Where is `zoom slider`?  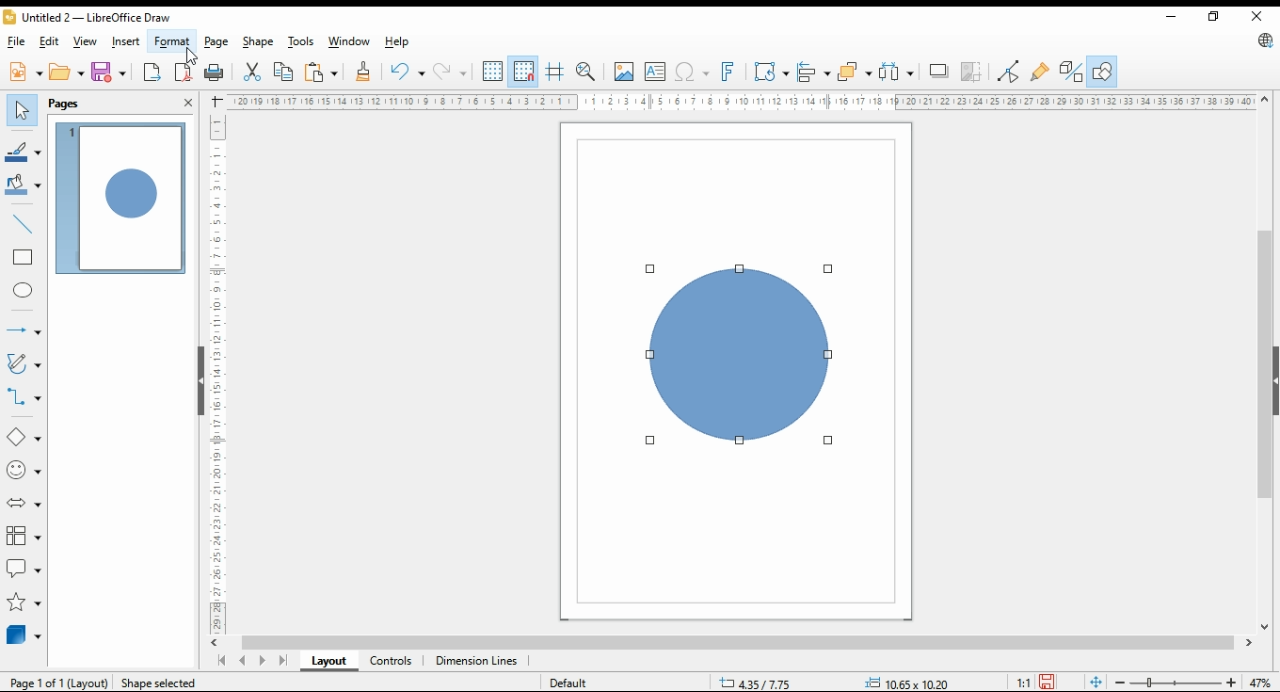 zoom slider is located at coordinates (1176, 681).